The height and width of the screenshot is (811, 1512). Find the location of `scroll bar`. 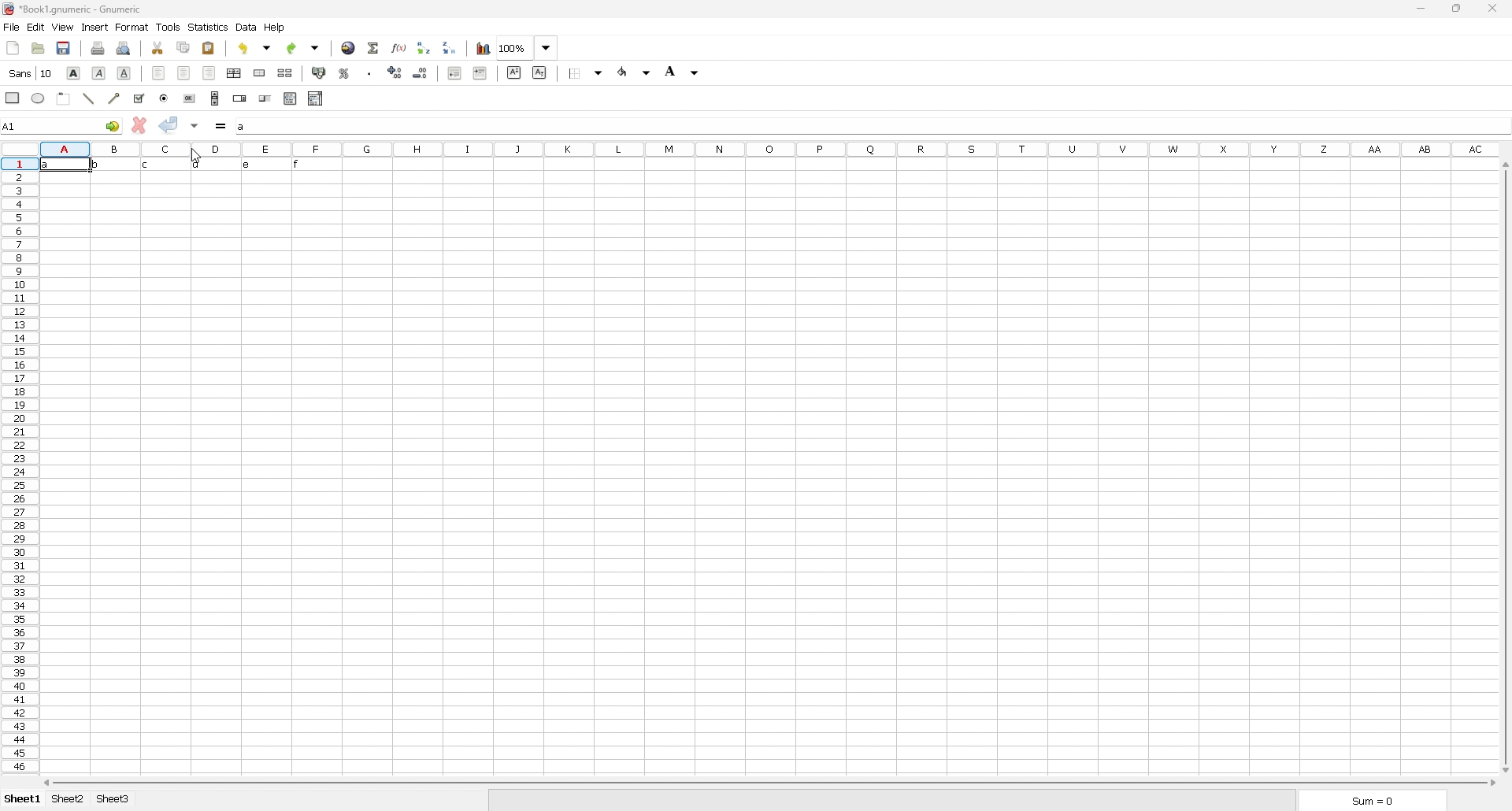

scroll bar is located at coordinates (772, 783).